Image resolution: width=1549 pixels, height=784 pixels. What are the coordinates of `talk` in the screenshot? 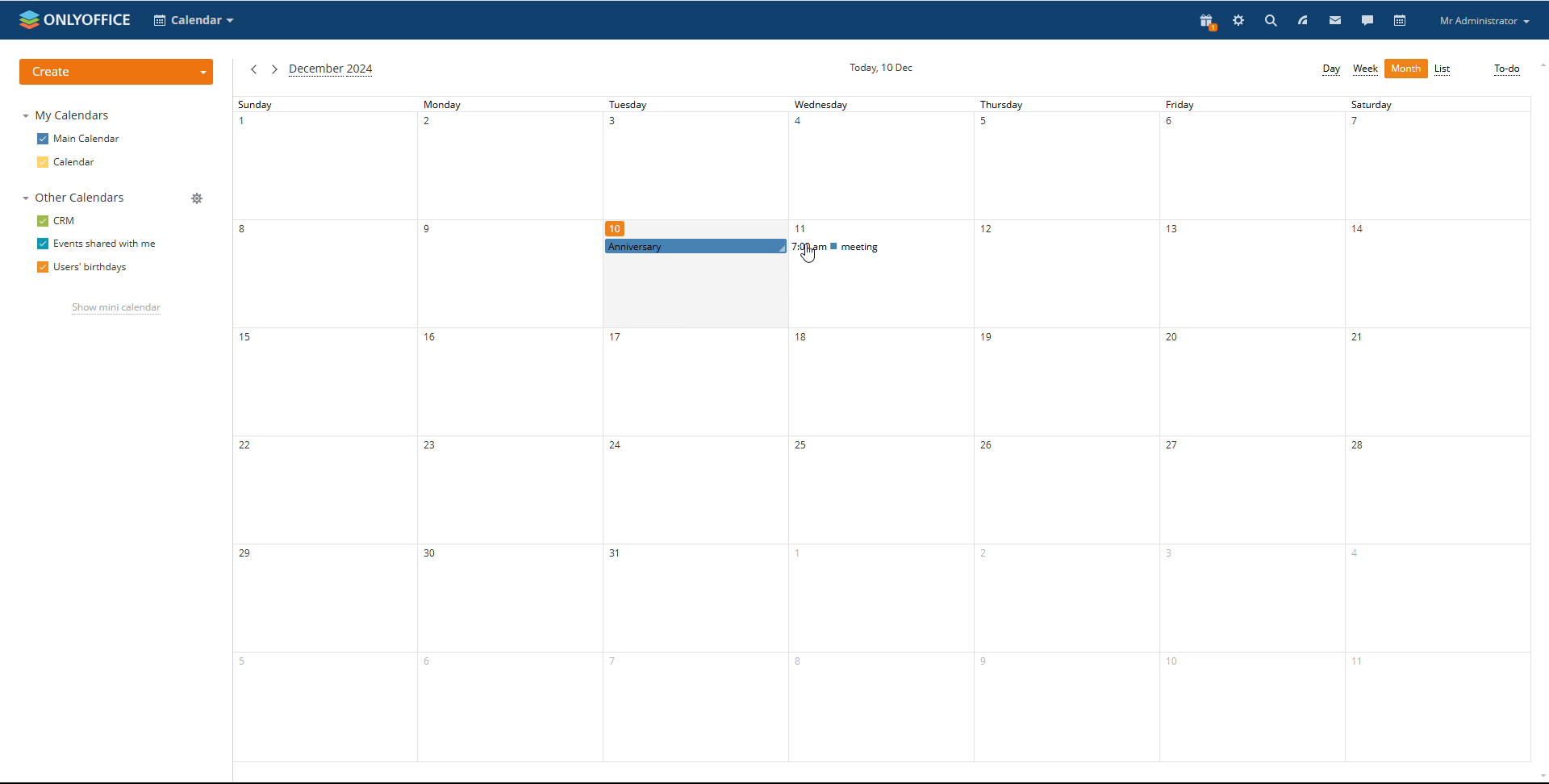 It's located at (1367, 21).